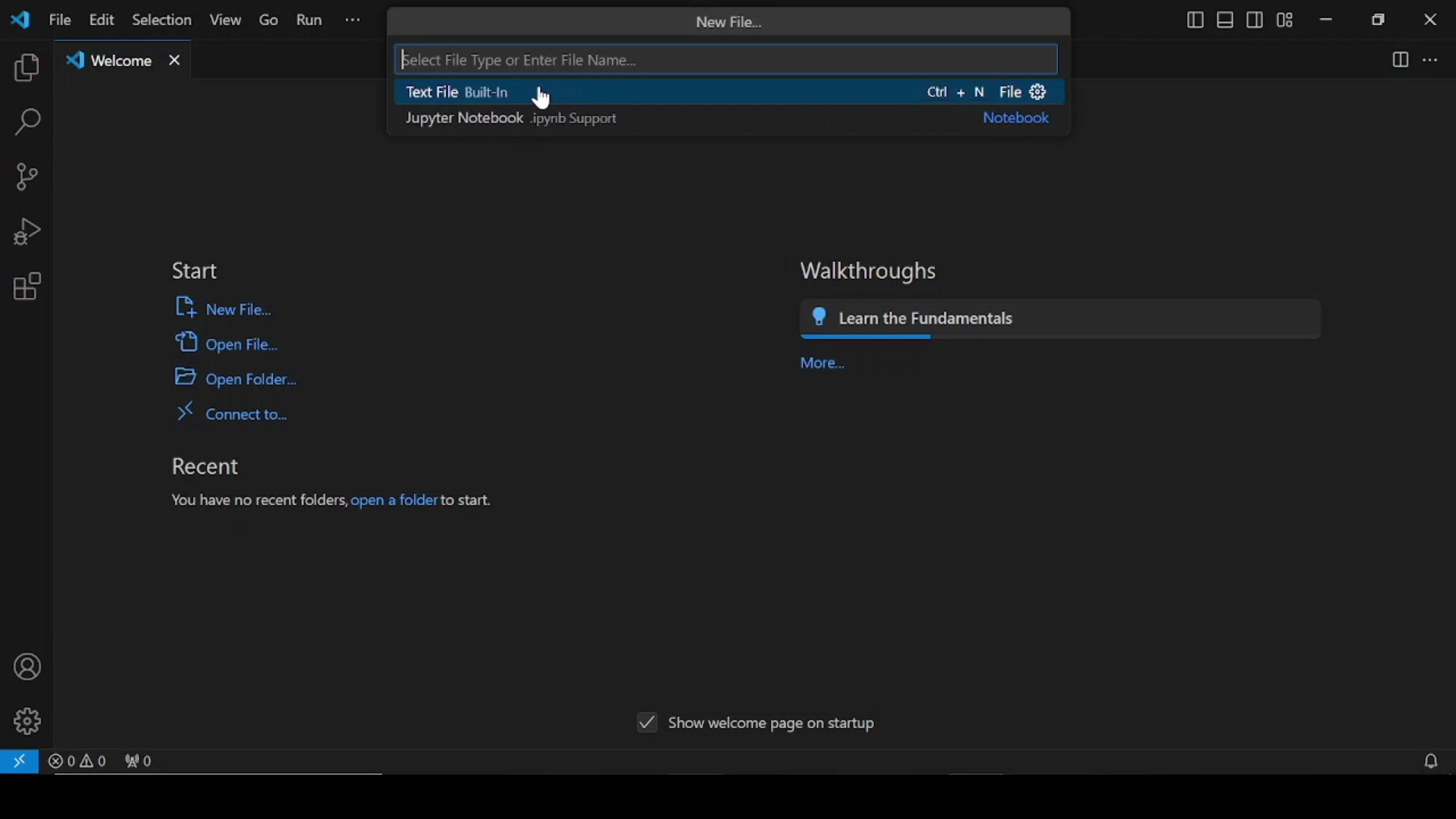  I want to click on no ports forwarded, so click(140, 761).